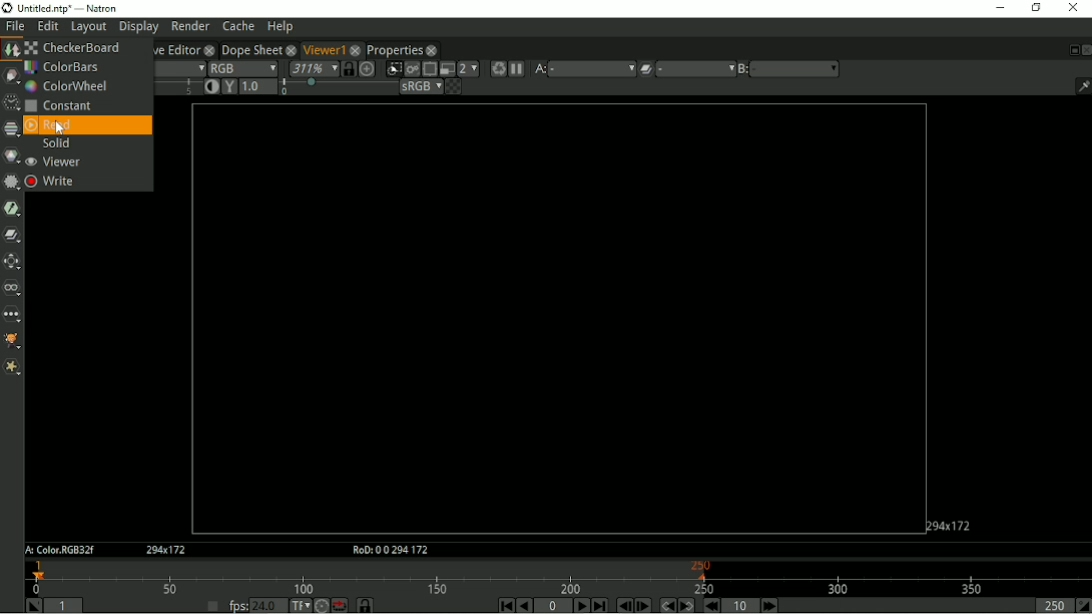  Describe the element at coordinates (60, 126) in the screenshot. I see `cursor` at that location.